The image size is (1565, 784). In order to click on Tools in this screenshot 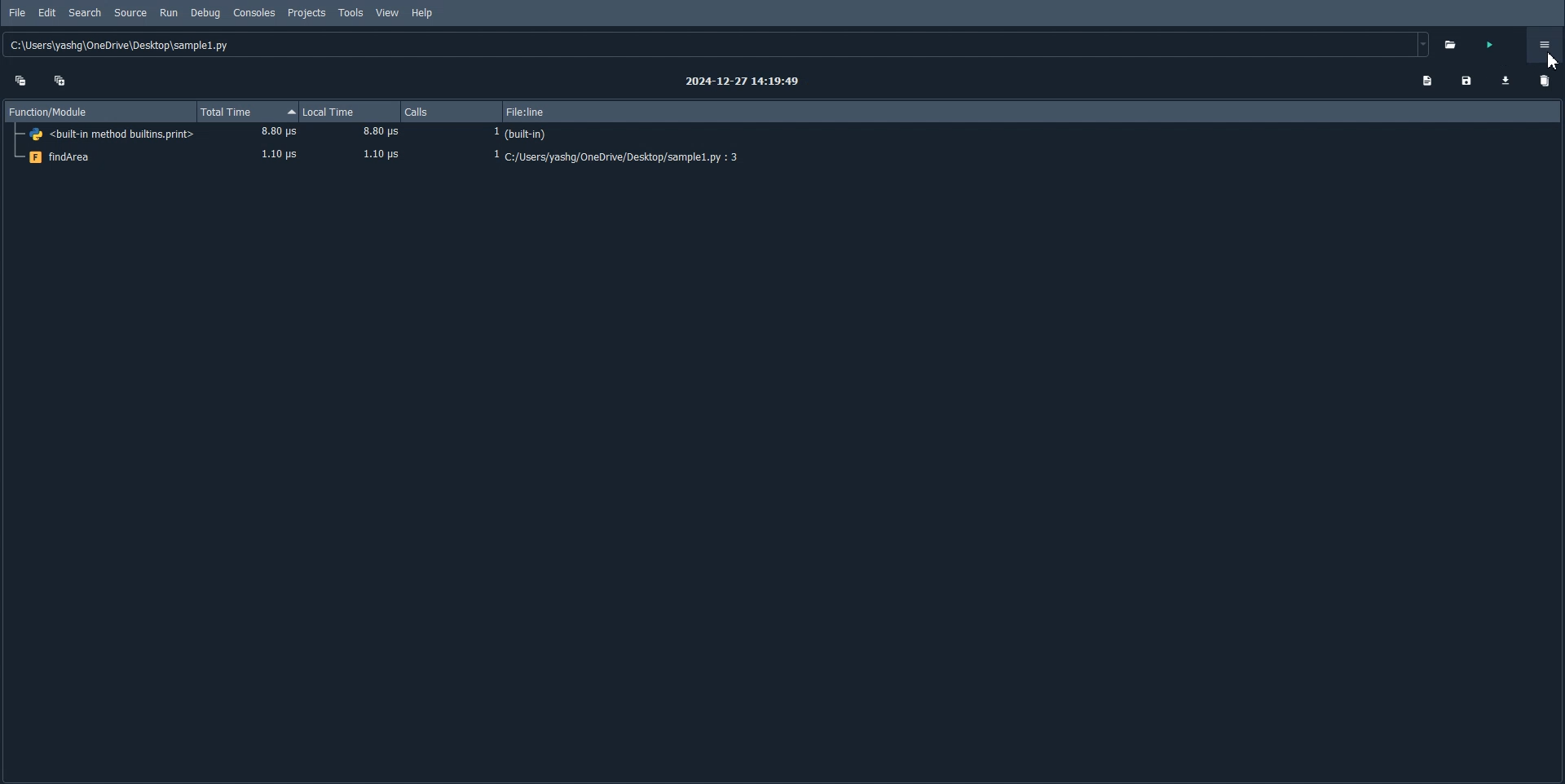, I will do `click(351, 12)`.